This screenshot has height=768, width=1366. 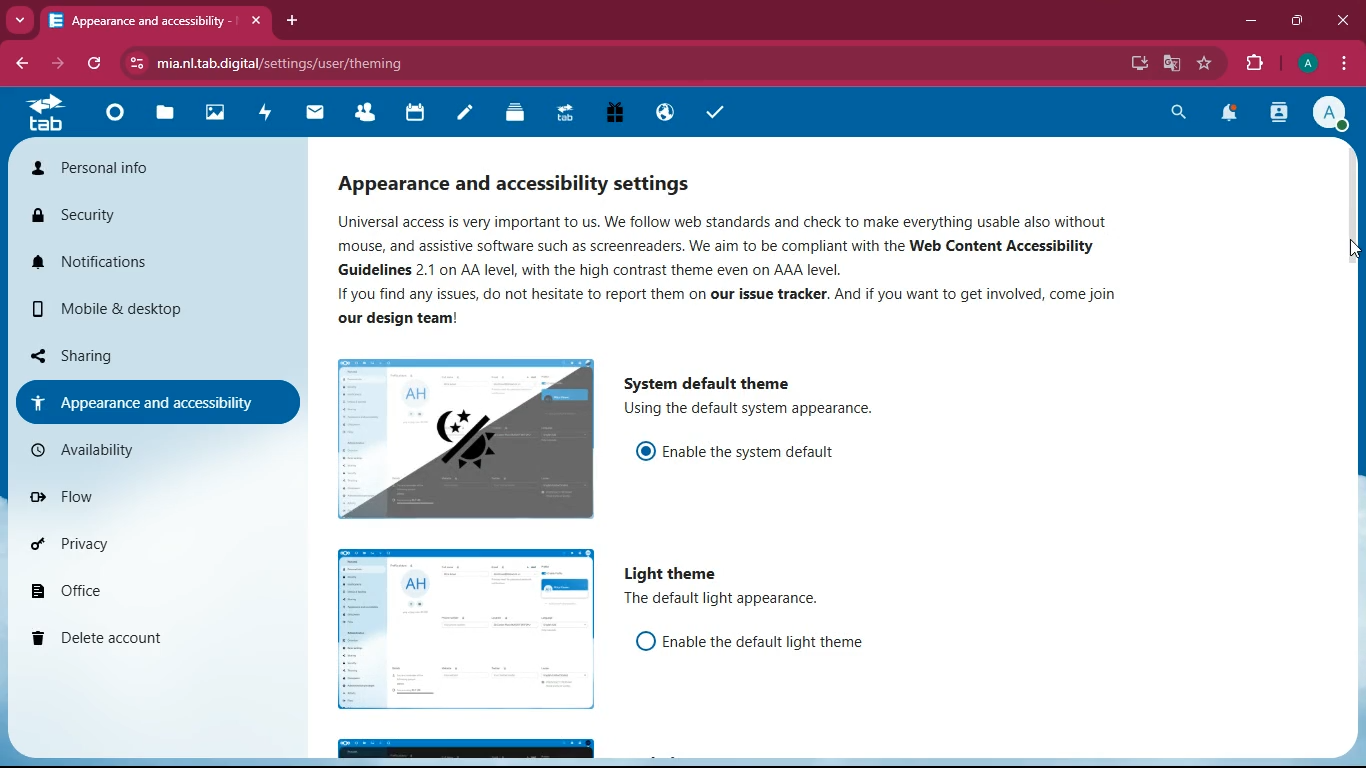 What do you see at coordinates (16, 63) in the screenshot?
I see `back` at bounding box center [16, 63].